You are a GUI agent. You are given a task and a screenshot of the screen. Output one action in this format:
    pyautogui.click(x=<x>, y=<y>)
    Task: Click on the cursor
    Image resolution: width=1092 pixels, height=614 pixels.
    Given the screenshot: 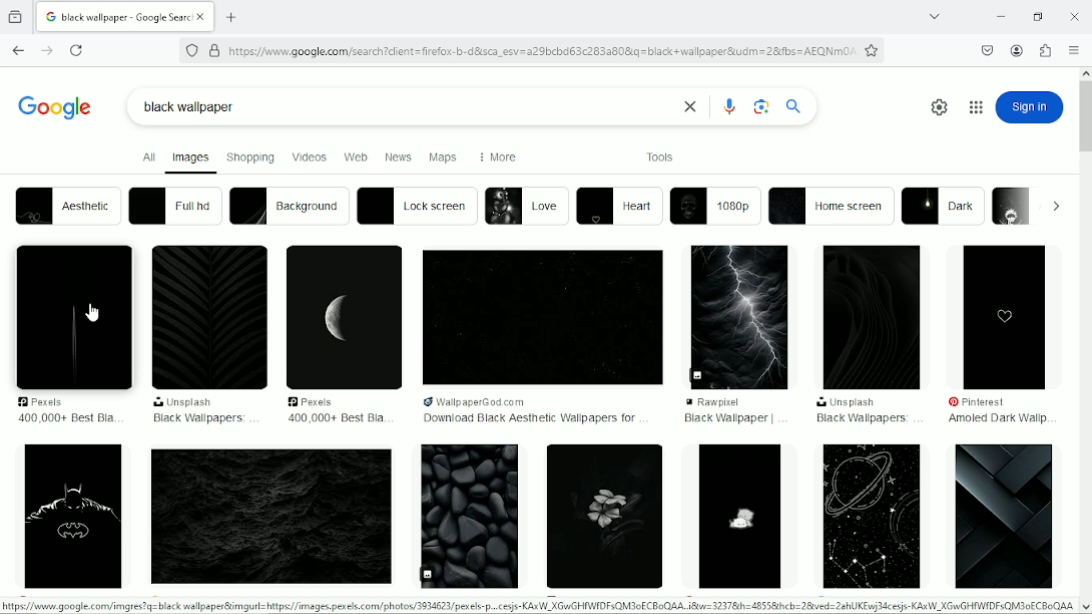 What is the action you would take?
    pyautogui.click(x=92, y=311)
    